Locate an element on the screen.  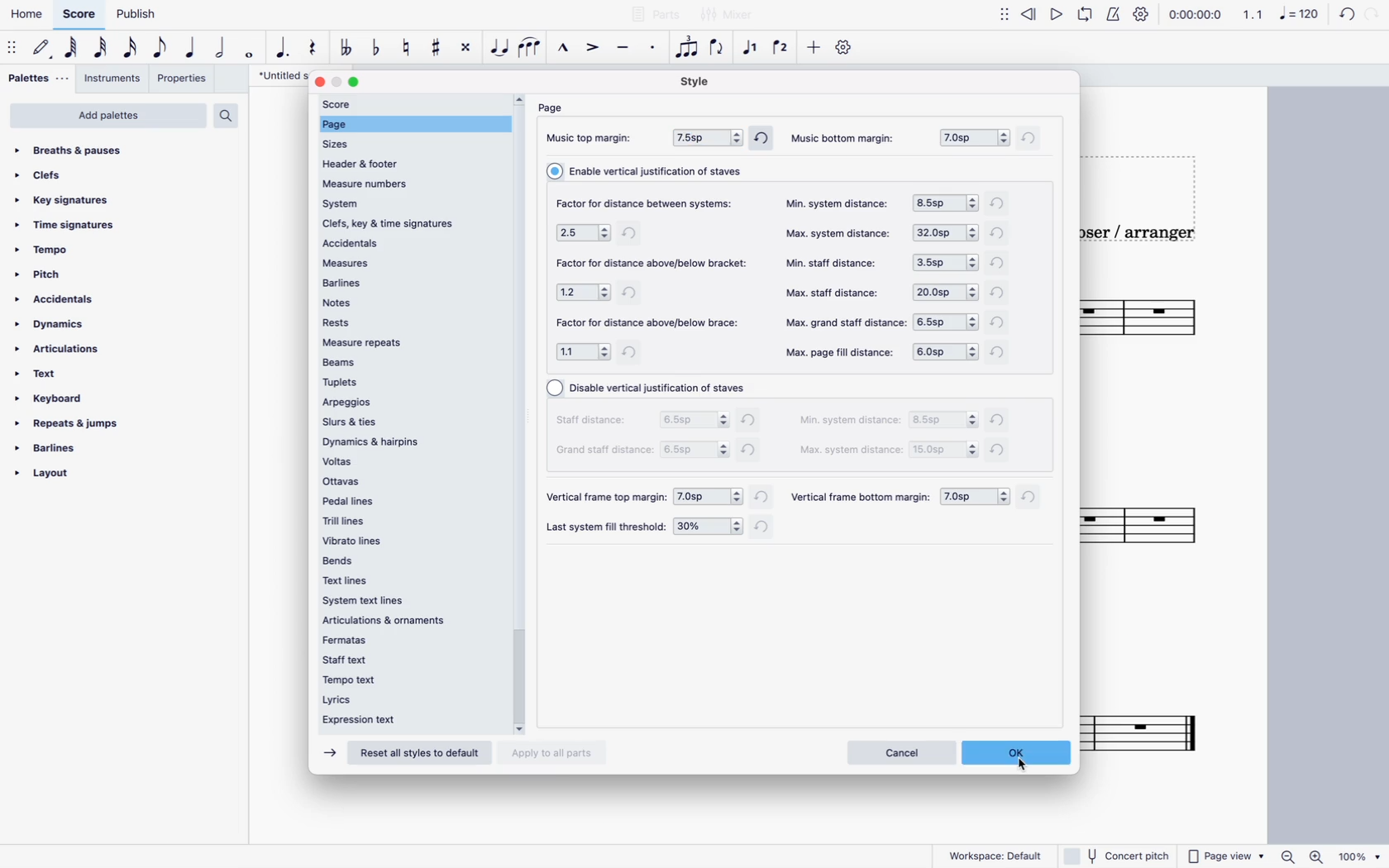
time signatures is located at coordinates (65, 222).